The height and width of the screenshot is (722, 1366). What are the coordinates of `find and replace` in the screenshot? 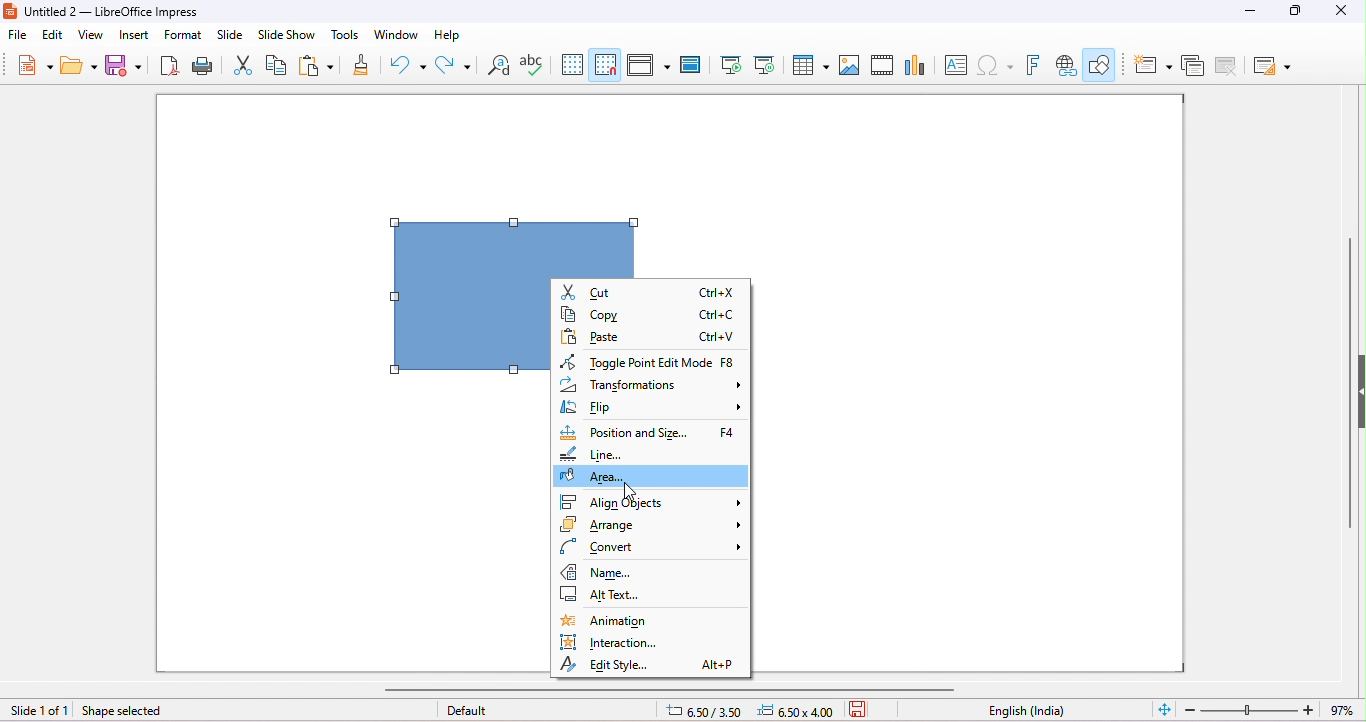 It's located at (500, 65).